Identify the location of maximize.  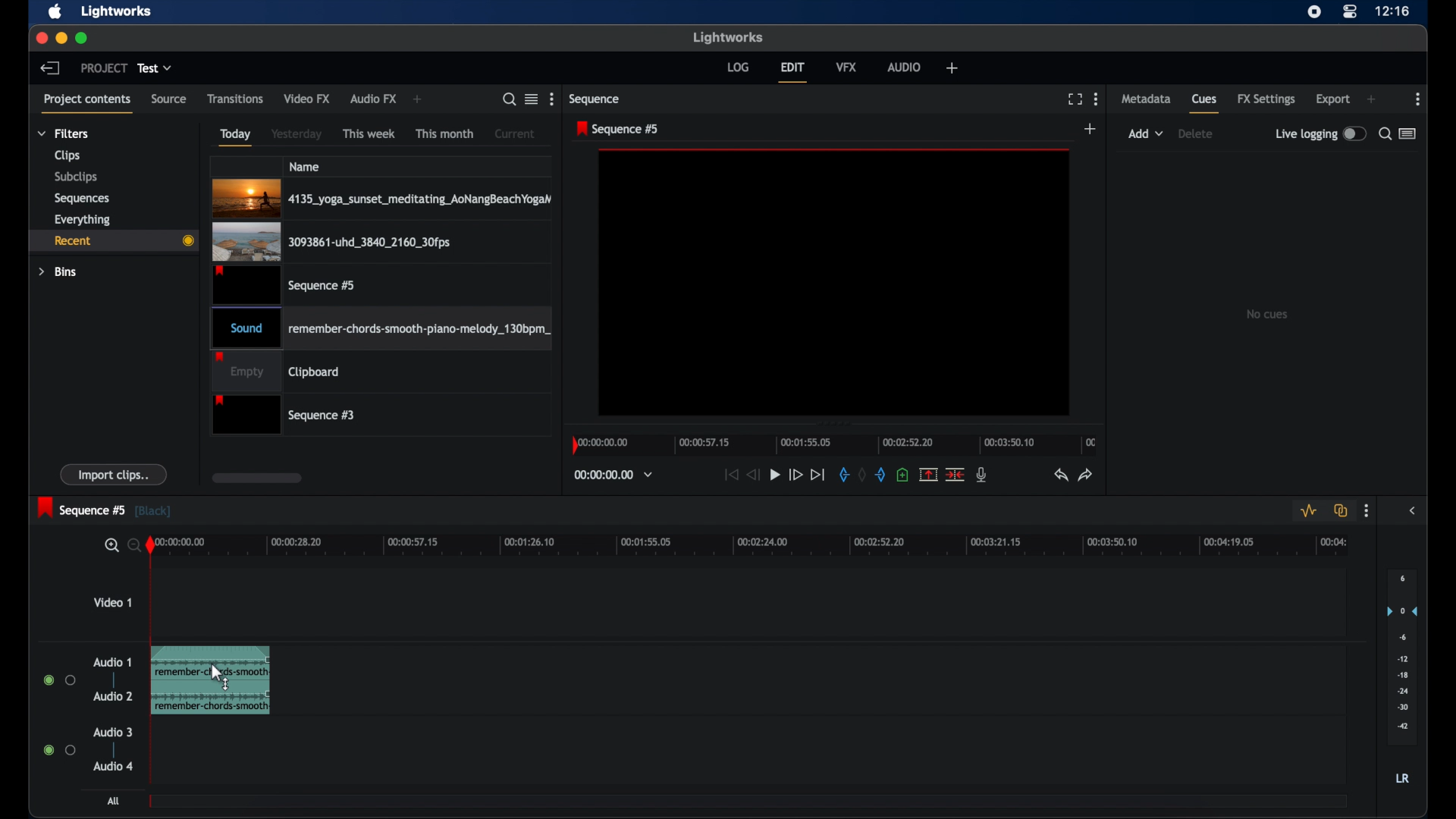
(83, 38).